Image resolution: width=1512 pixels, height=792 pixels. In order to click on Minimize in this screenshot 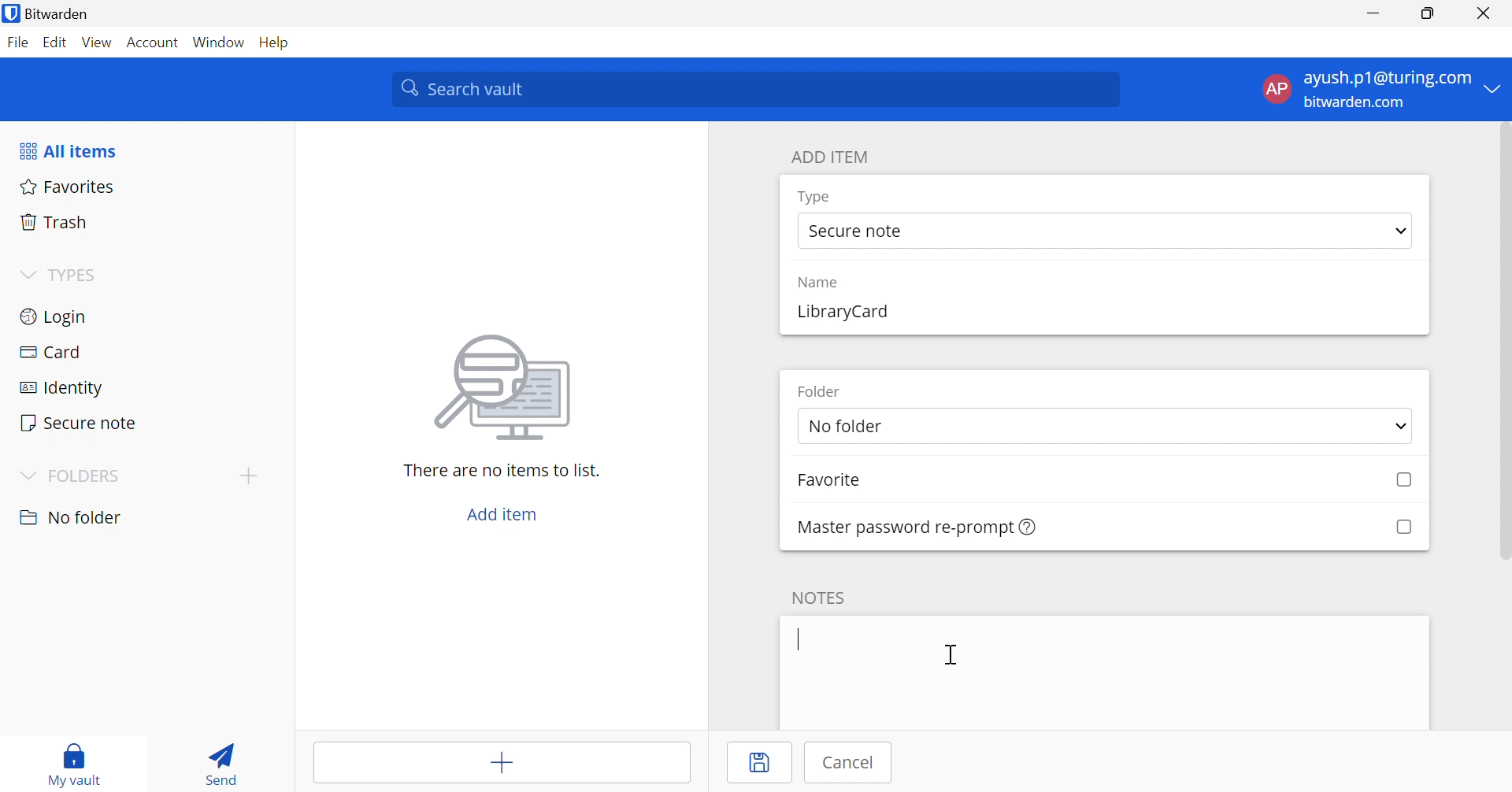, I will do `click(1374, 12)`.